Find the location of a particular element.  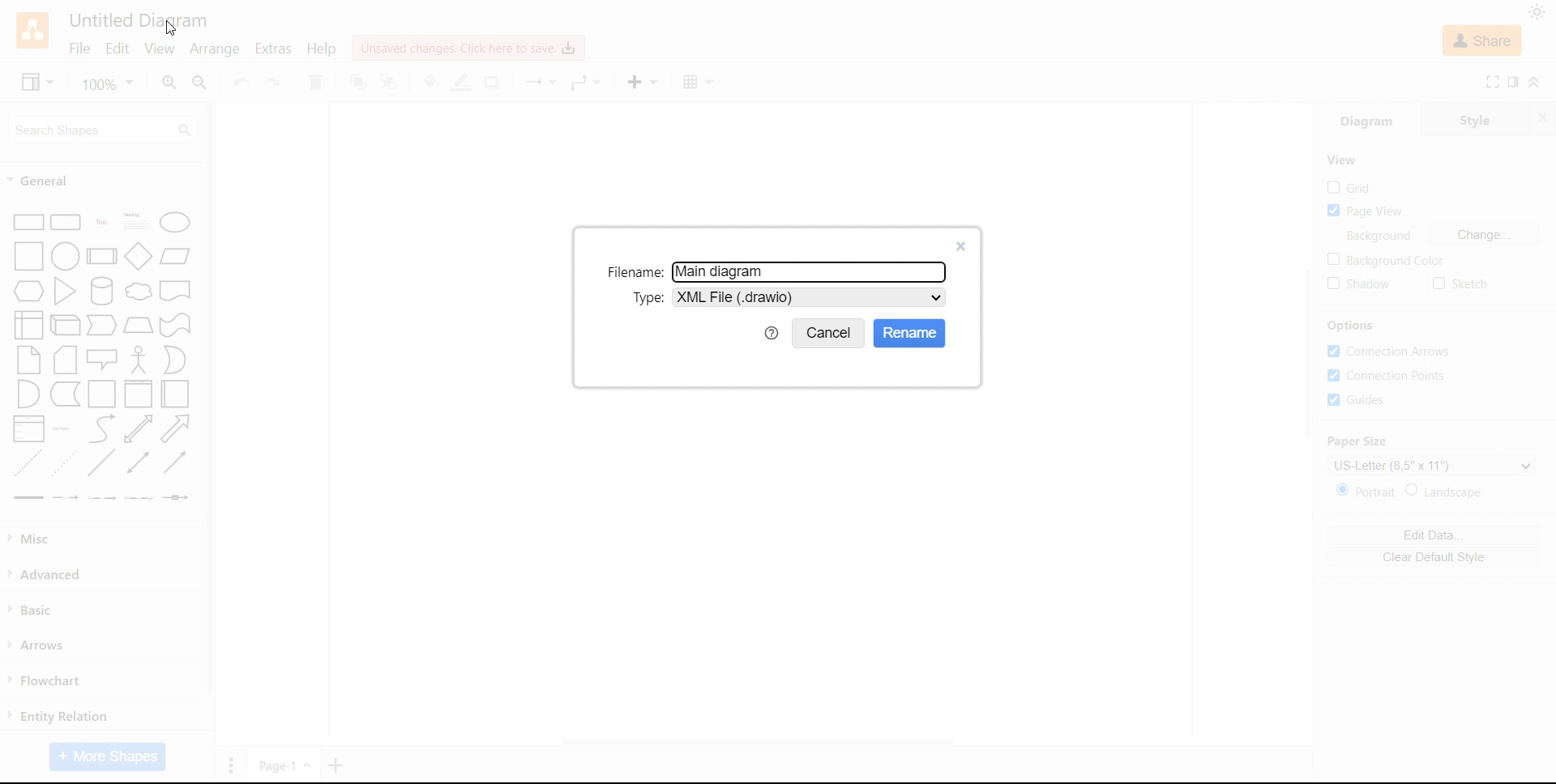

Zoom in  is located at coordinates (169, 83).